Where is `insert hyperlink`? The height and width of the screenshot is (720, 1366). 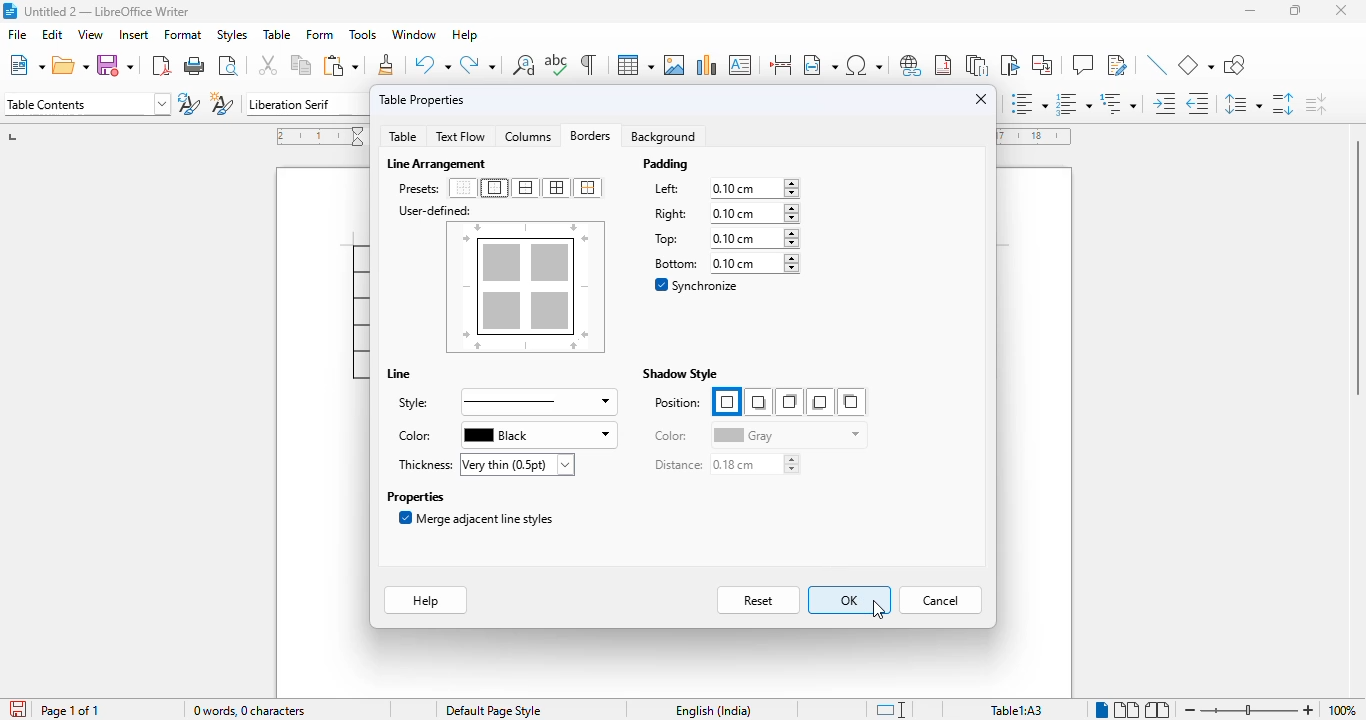 insert hyperlink is located at coordinates (911, 64).